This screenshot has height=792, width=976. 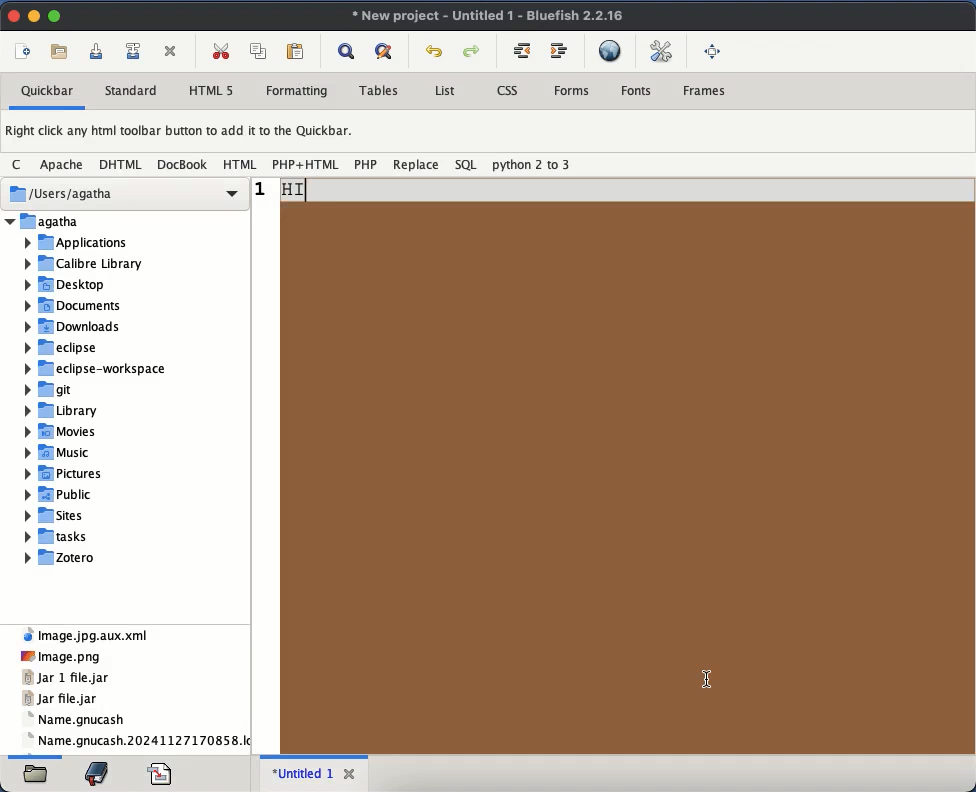 I want to click on advanced find and replace, so click(x=385, y=53).